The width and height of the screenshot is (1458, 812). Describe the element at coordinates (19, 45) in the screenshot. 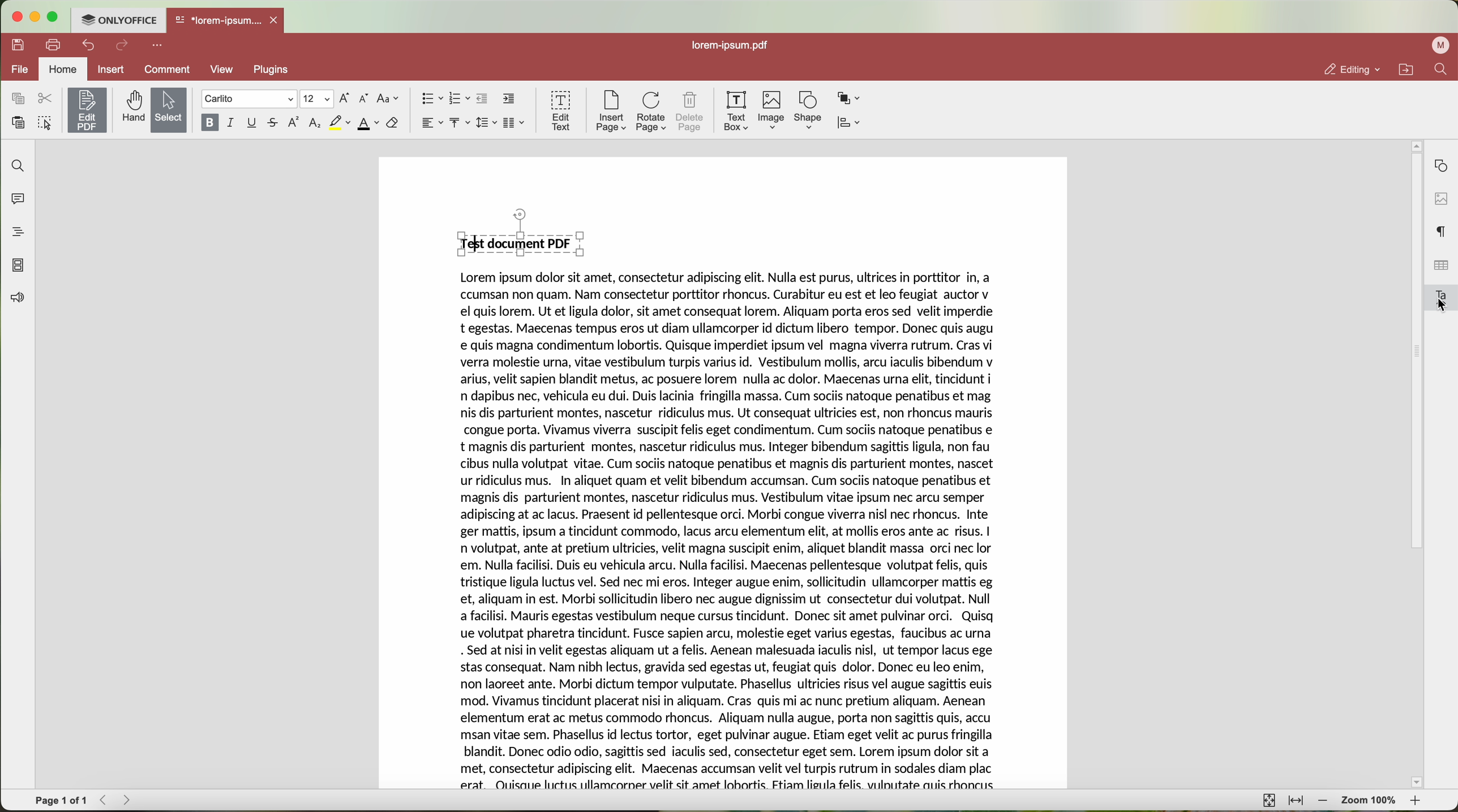

I see `save` at that location.